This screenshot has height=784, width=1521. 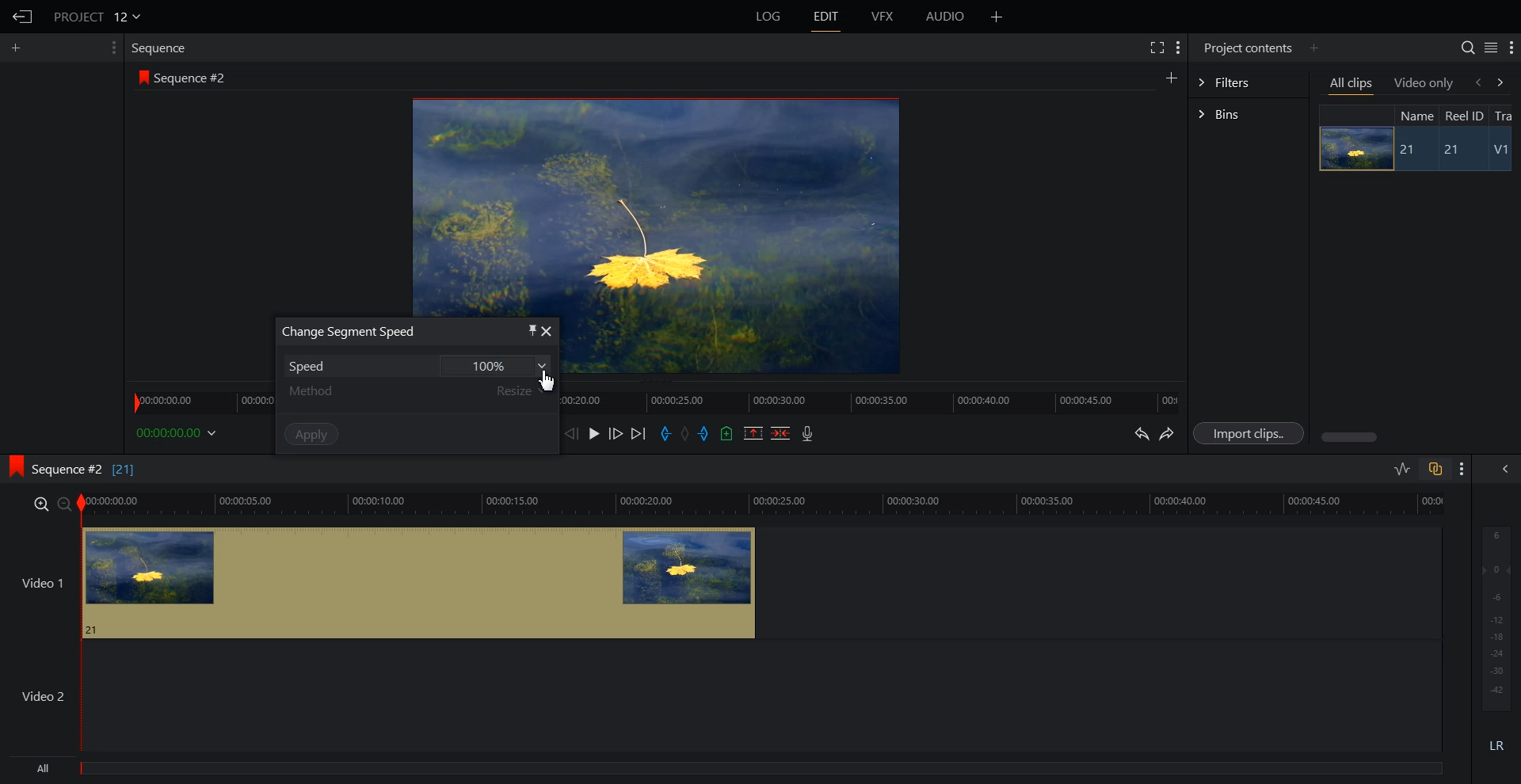 I want to click on Project contents, so click(x=1246, y=46).